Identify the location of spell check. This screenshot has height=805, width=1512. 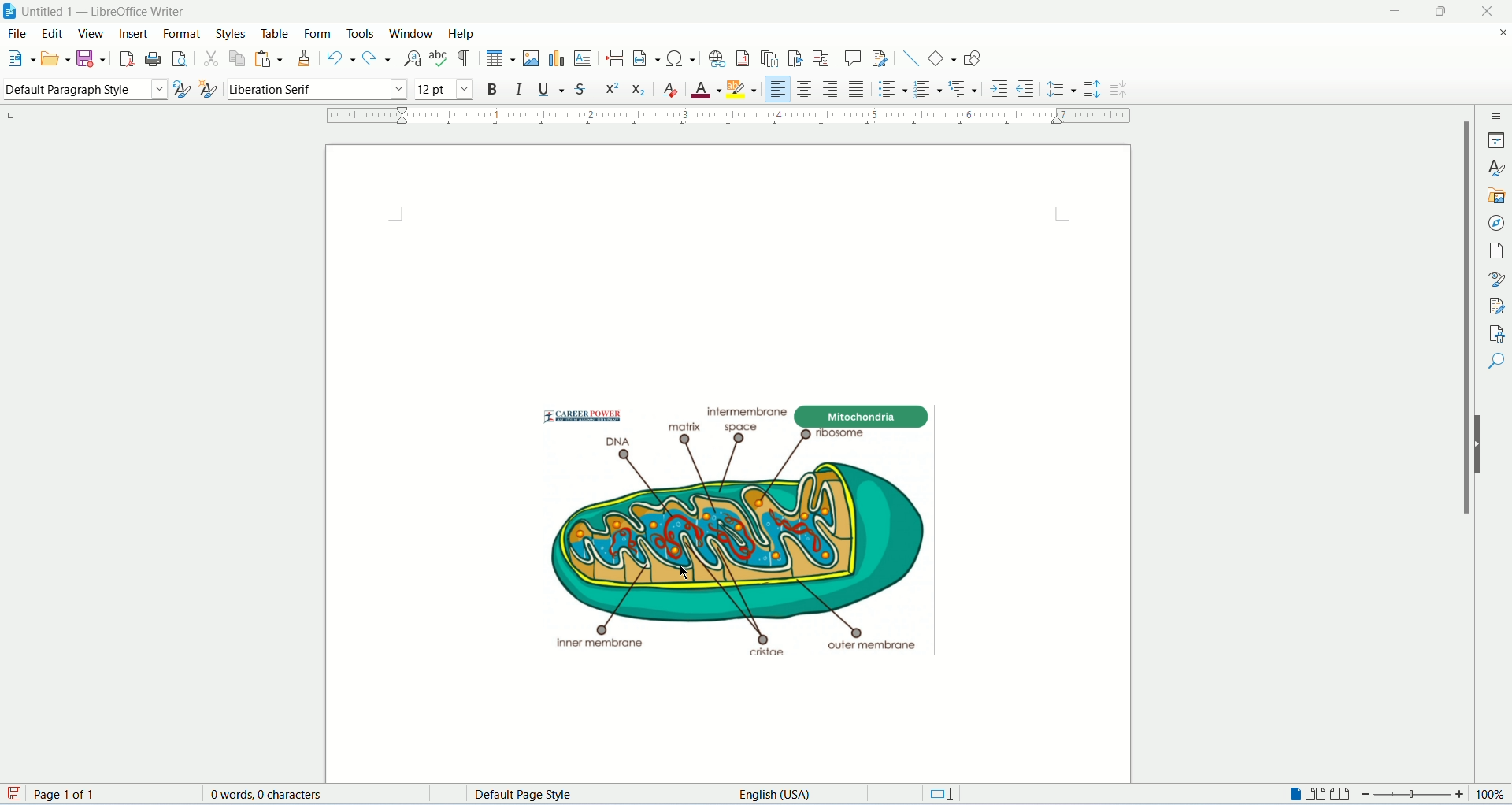
(441, 58).